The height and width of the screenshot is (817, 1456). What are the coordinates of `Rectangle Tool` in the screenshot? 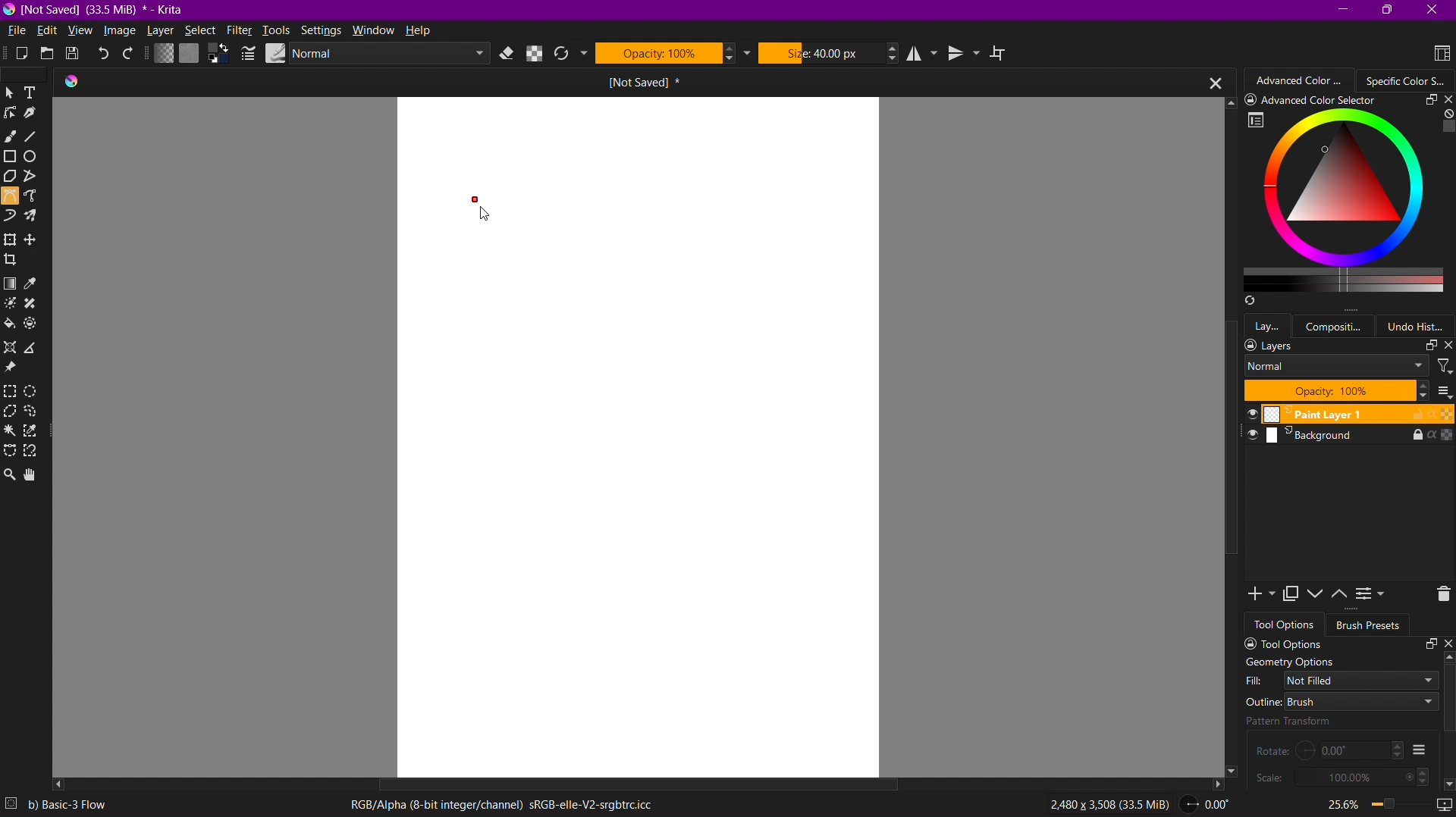 It's located at (13, 158).